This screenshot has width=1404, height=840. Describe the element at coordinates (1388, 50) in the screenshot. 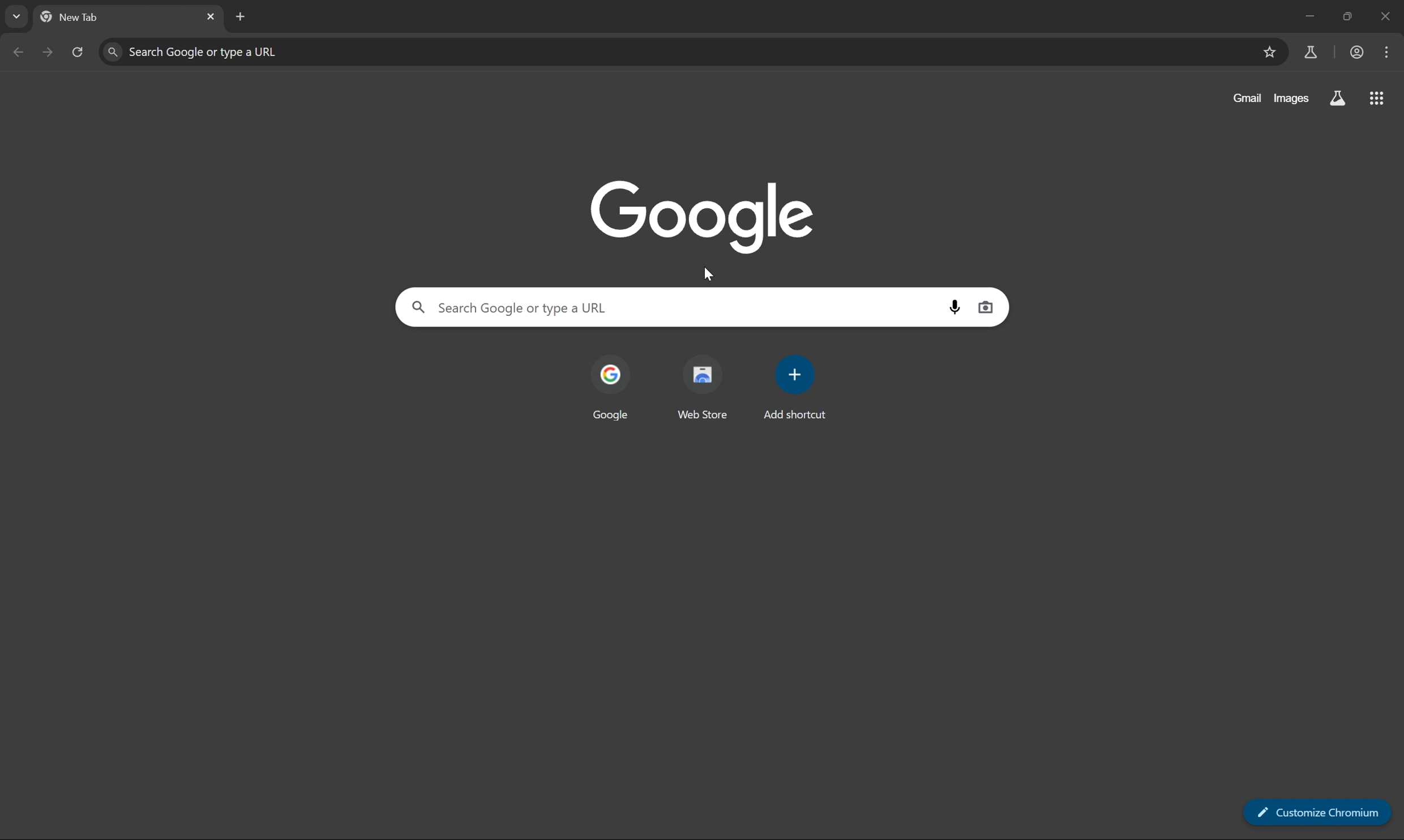

I see `customize and control chromium` at that location.